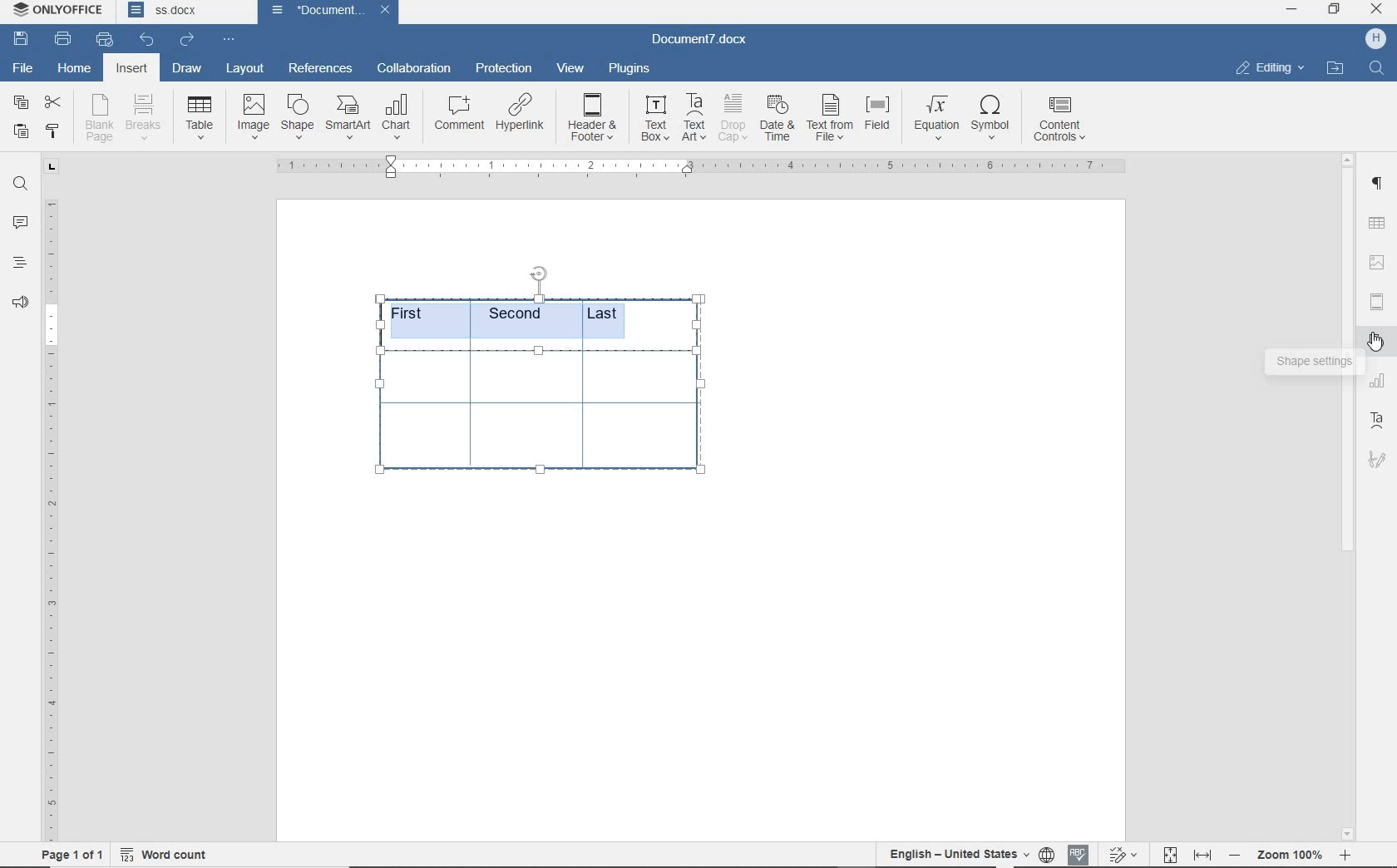 This screenshot has width=1397, height=868. Describe the element at coordinates (706, 37) in the screenshot. I see `document name` at that location.